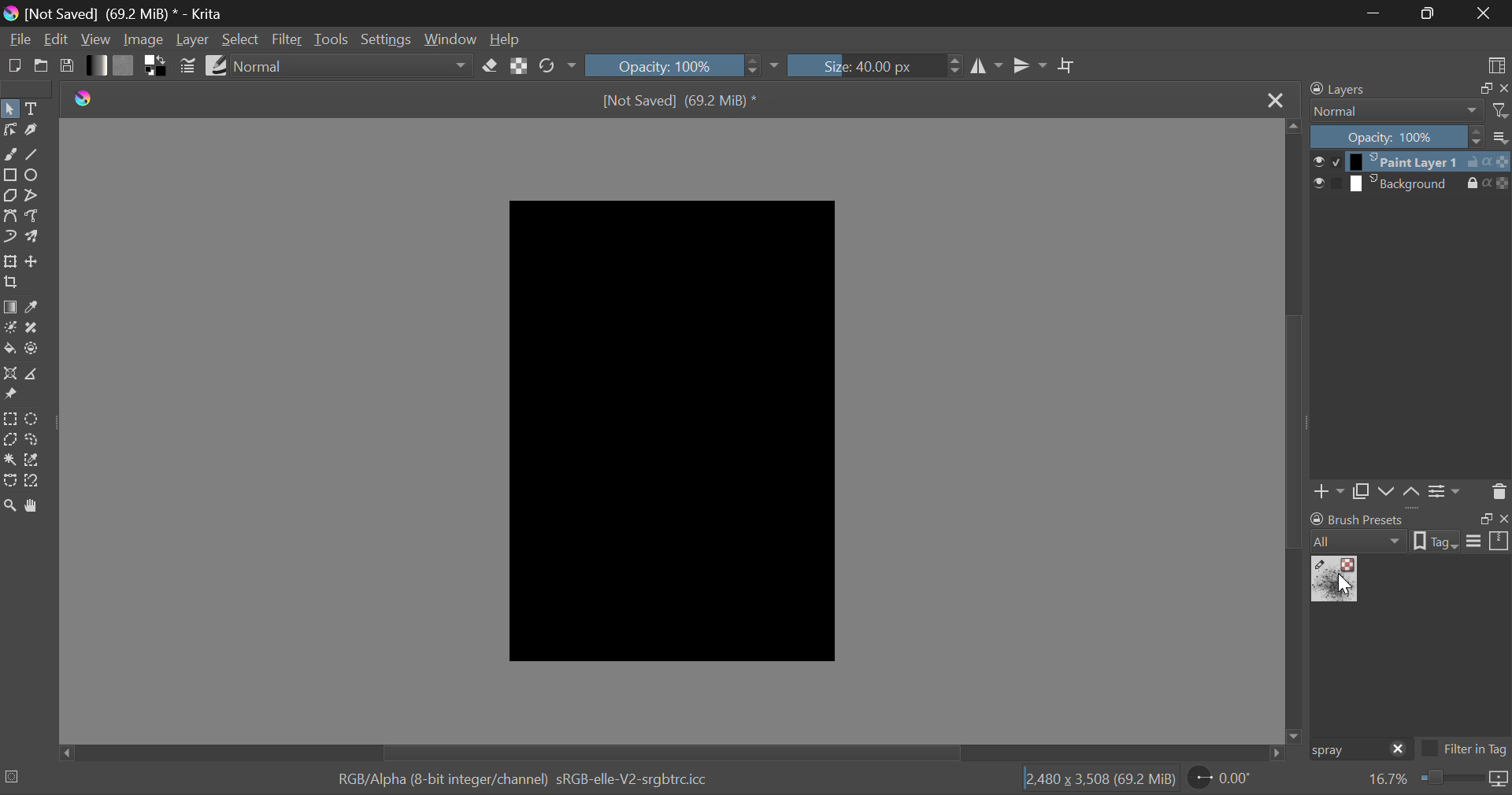 Image resolution: width=1512 pixels, height=795 pixels. Describe the element at coordinates (559, 66) in the screenshot. I see `Rotate` at that location.